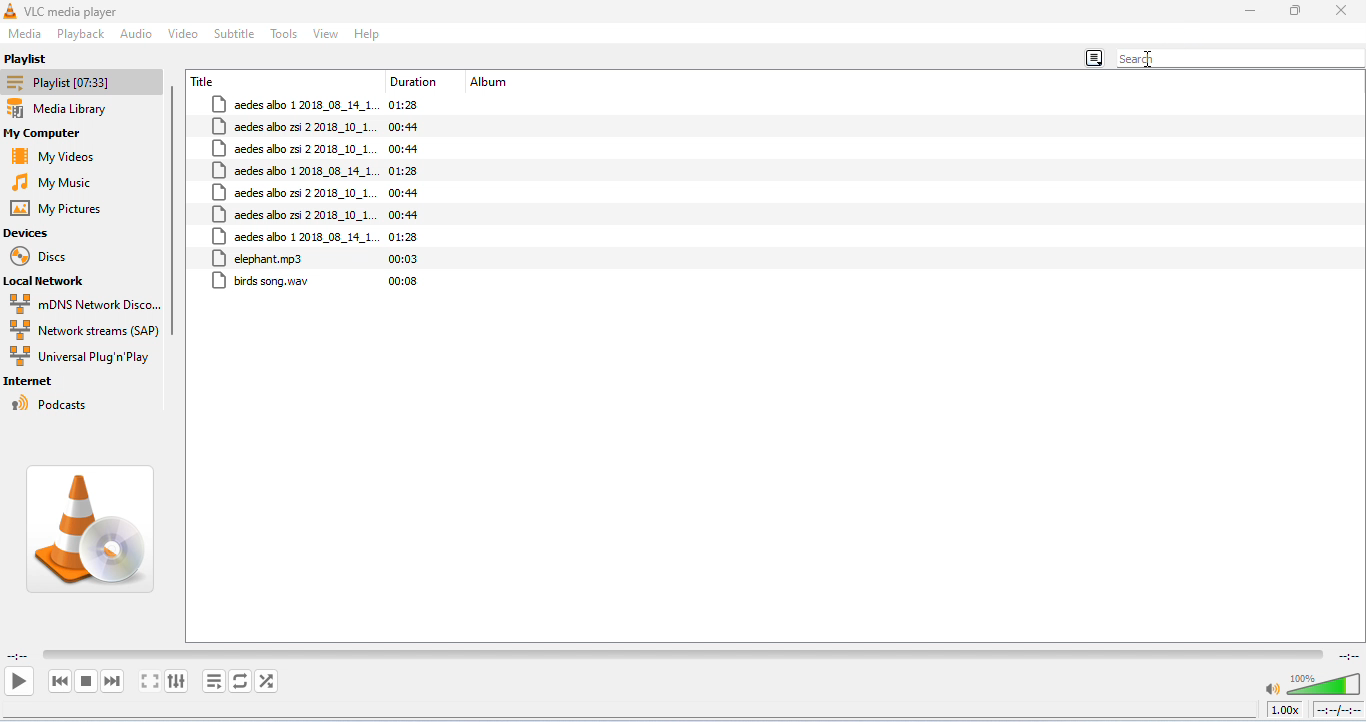 This screenshot has width=1366, height=722. What do you see at coordinates (263, 282) in the screenshot?
I see `bird song.wav` at bounding box center [263, 282].